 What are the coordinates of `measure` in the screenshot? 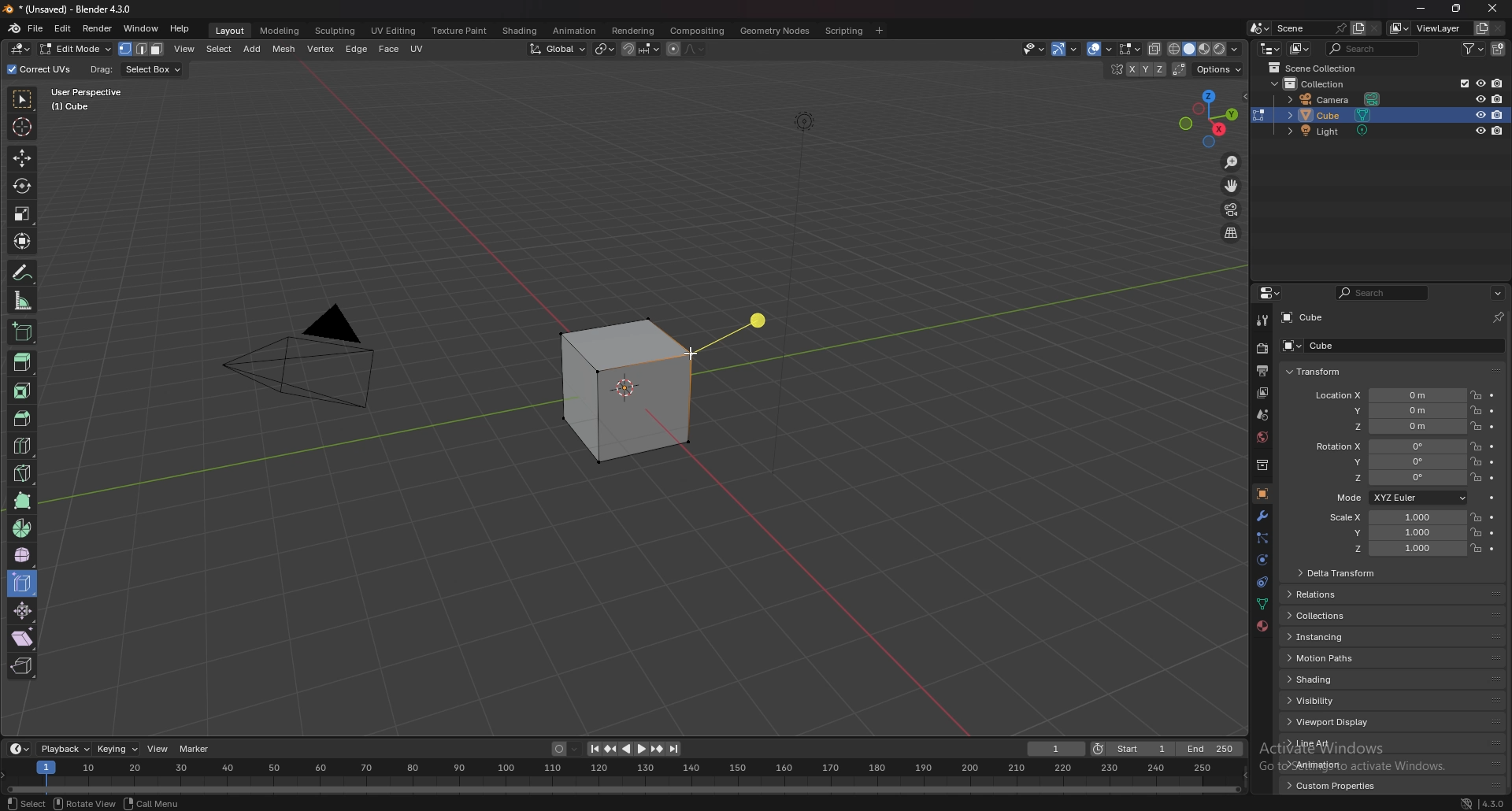 It's located at (23, 301).